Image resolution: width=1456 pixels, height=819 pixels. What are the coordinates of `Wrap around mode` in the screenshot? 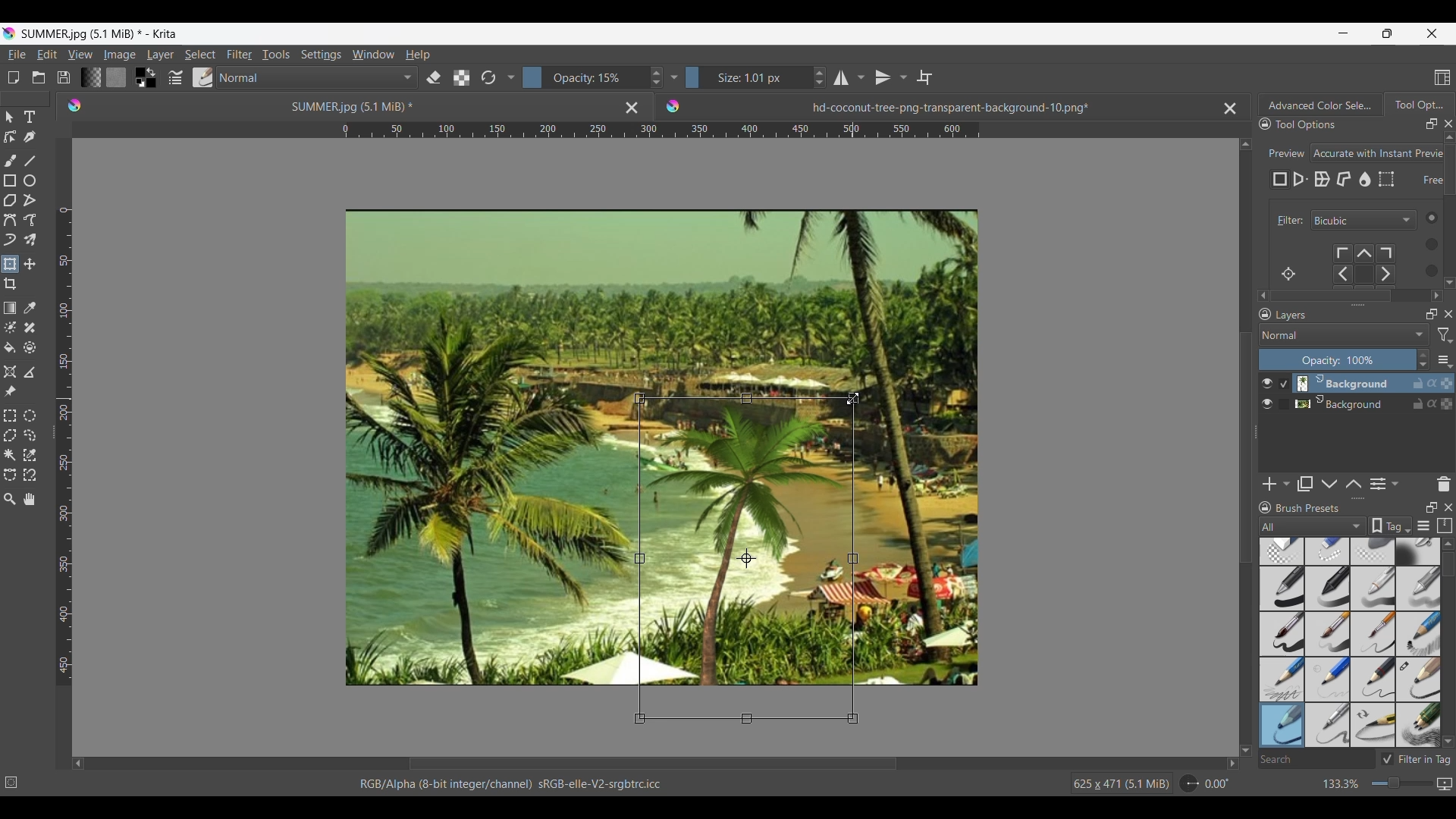 It's located at (924, 77).